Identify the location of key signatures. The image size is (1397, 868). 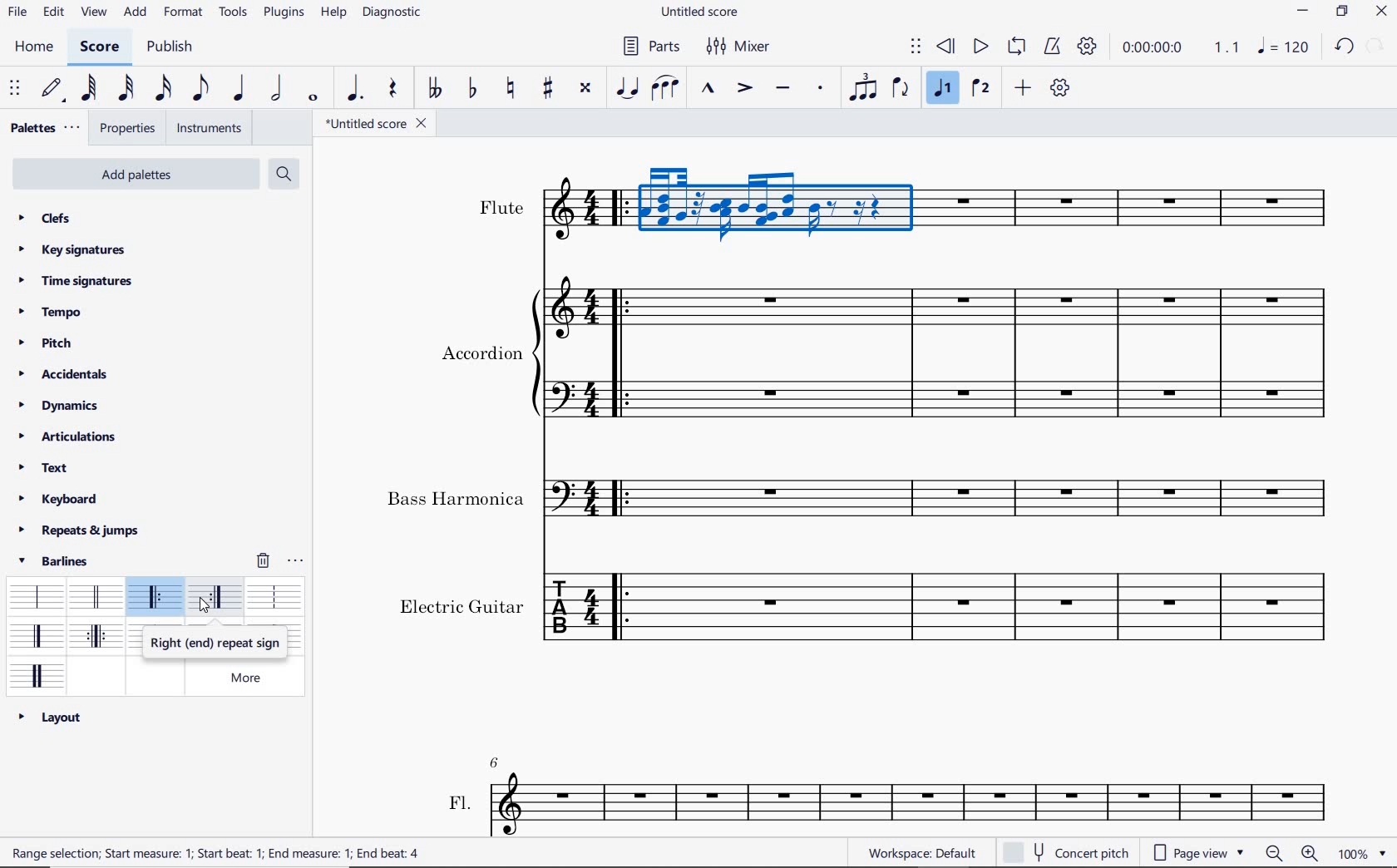
(72, 251).